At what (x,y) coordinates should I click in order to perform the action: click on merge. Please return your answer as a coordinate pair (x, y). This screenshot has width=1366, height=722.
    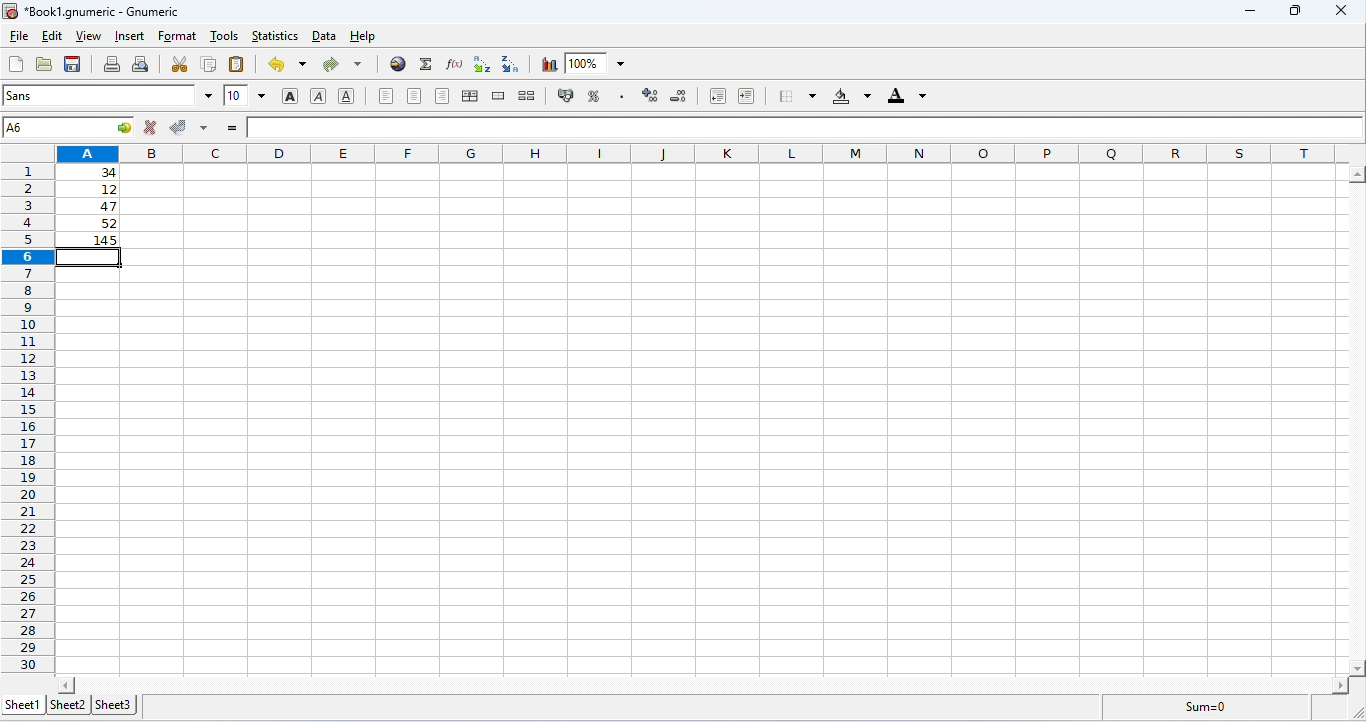
    Looking at the image, I should click on (500, 96).